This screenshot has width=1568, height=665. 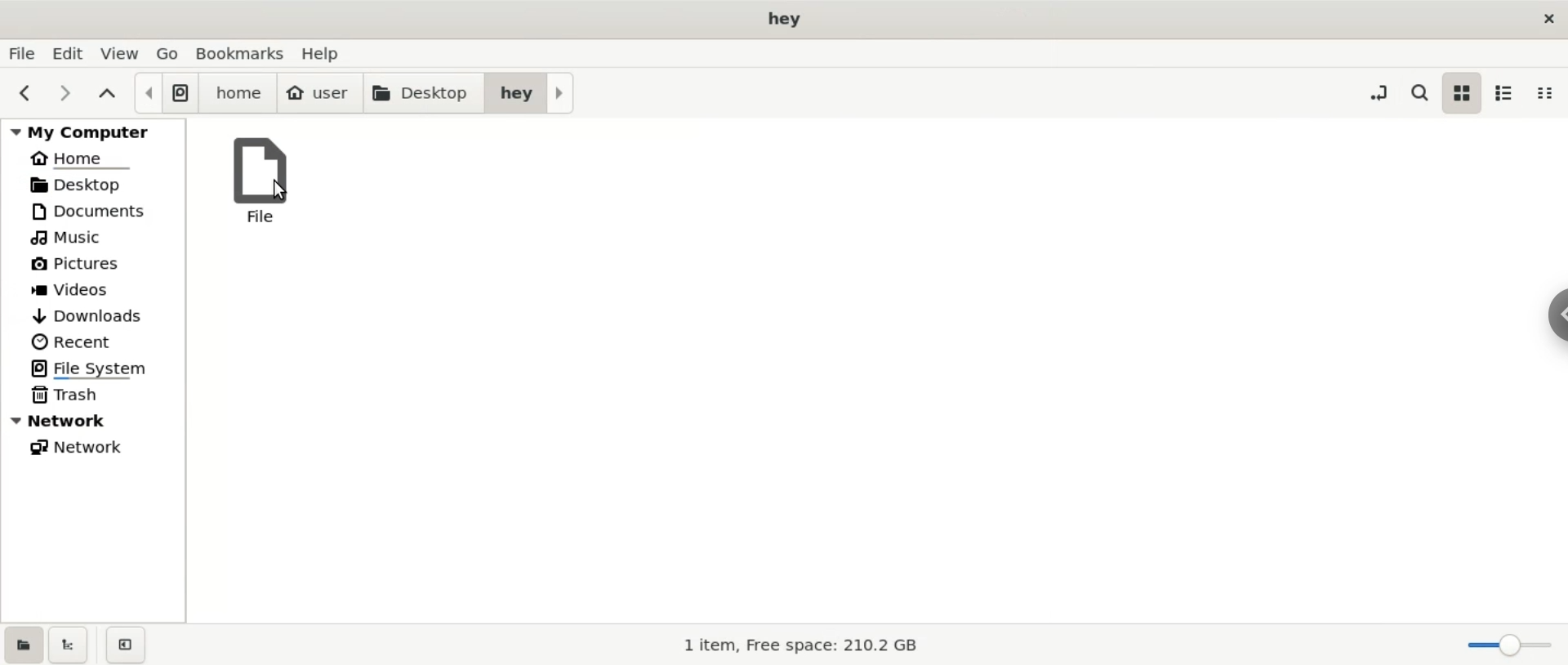 I want to click on compact view, so click(x=1550, y=92).